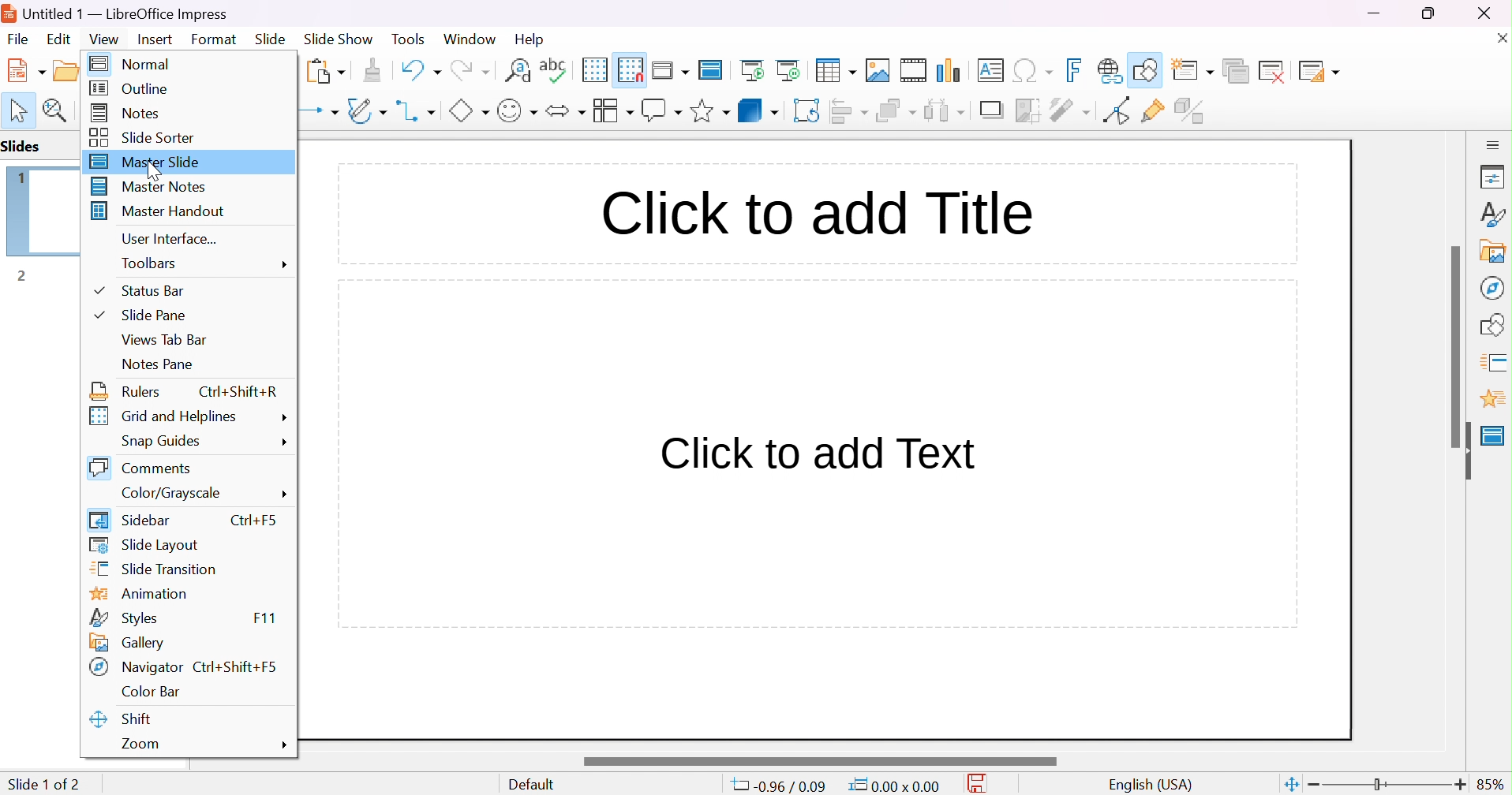  What do you see at coordinates (366, 110) in the screenshot?
I see `curves and polygons` at bounding box center [366, 110].